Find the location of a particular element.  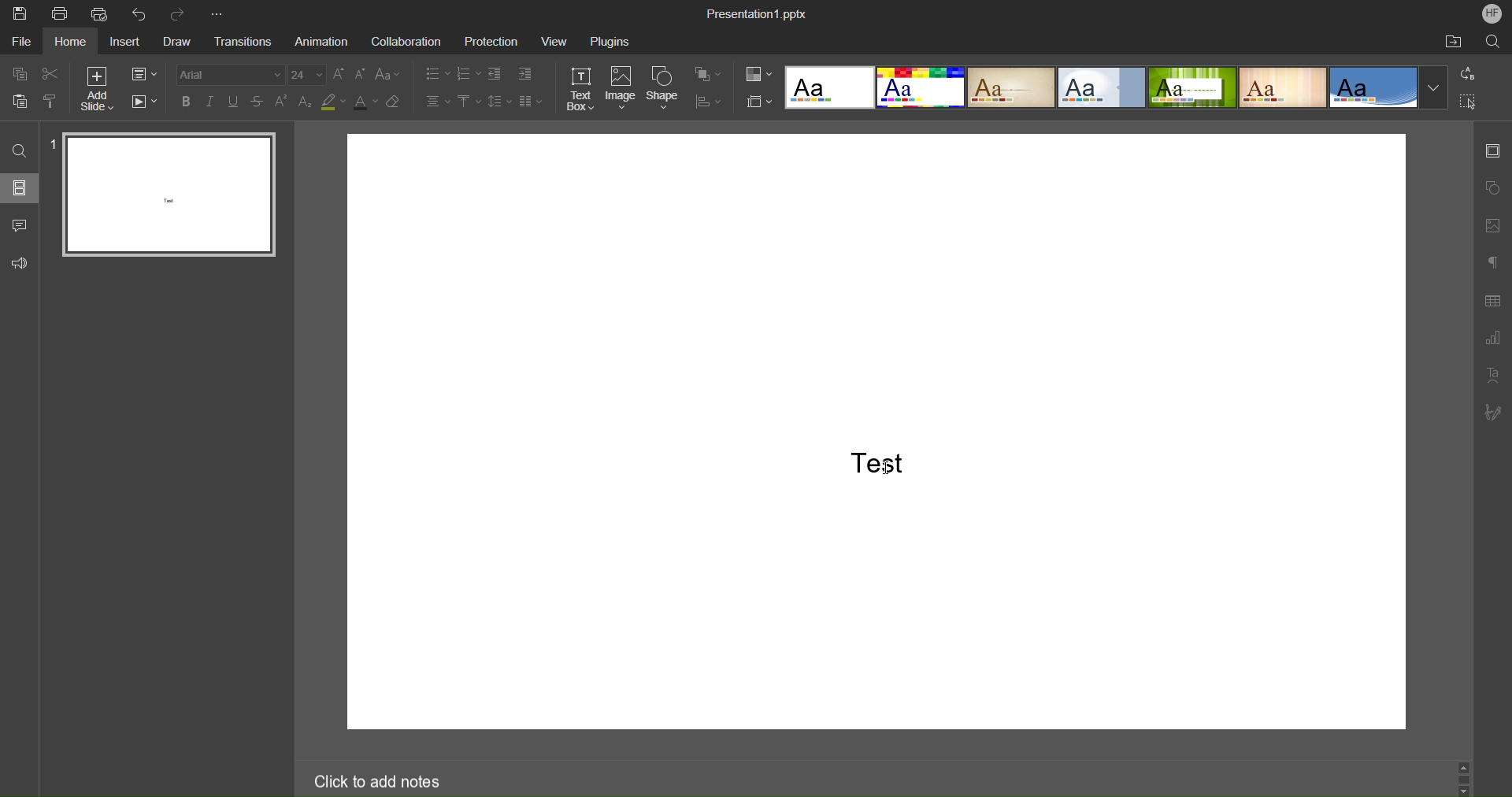

Cut is located at coordinates (52, 72).